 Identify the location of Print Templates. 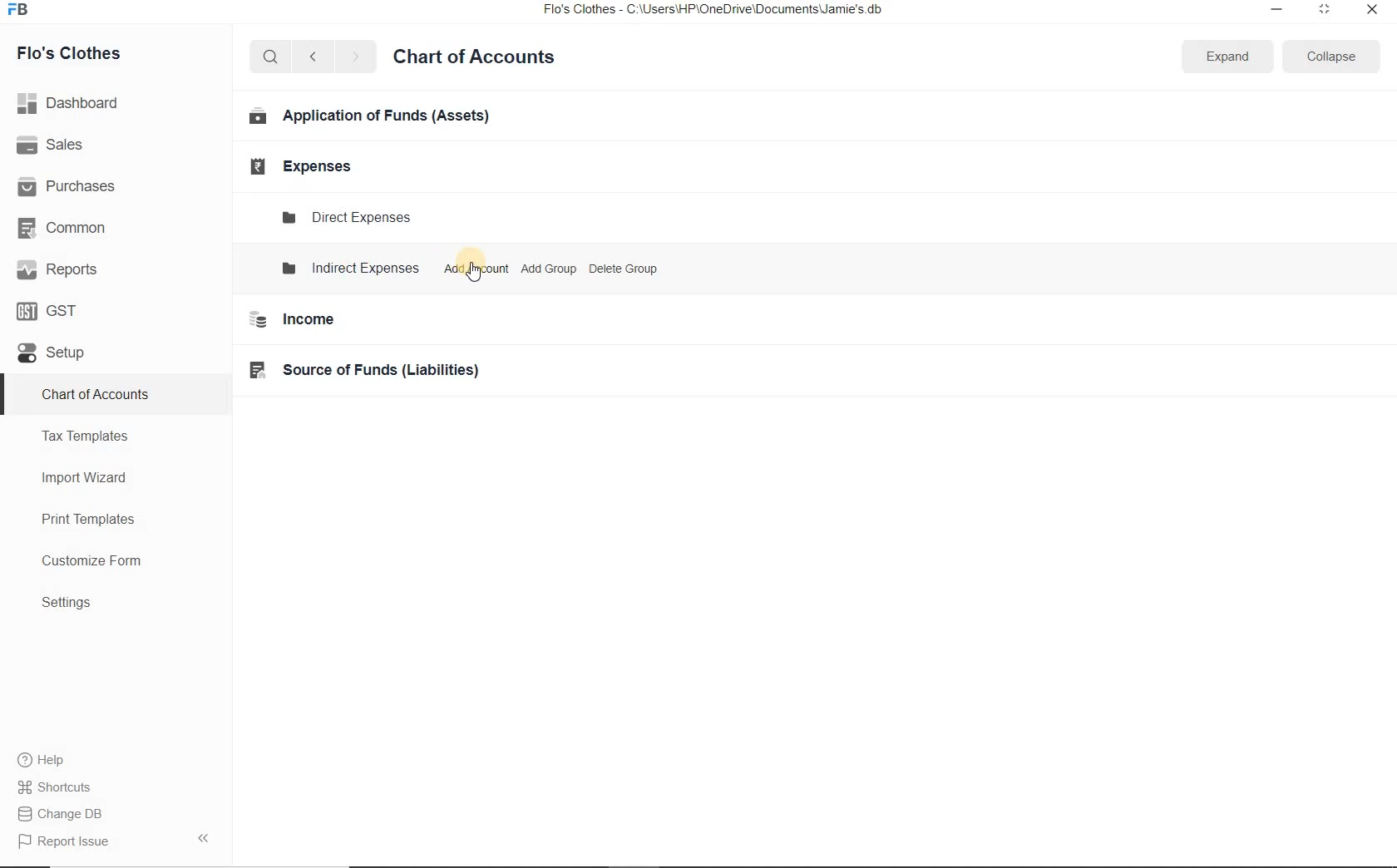
(88, 520).